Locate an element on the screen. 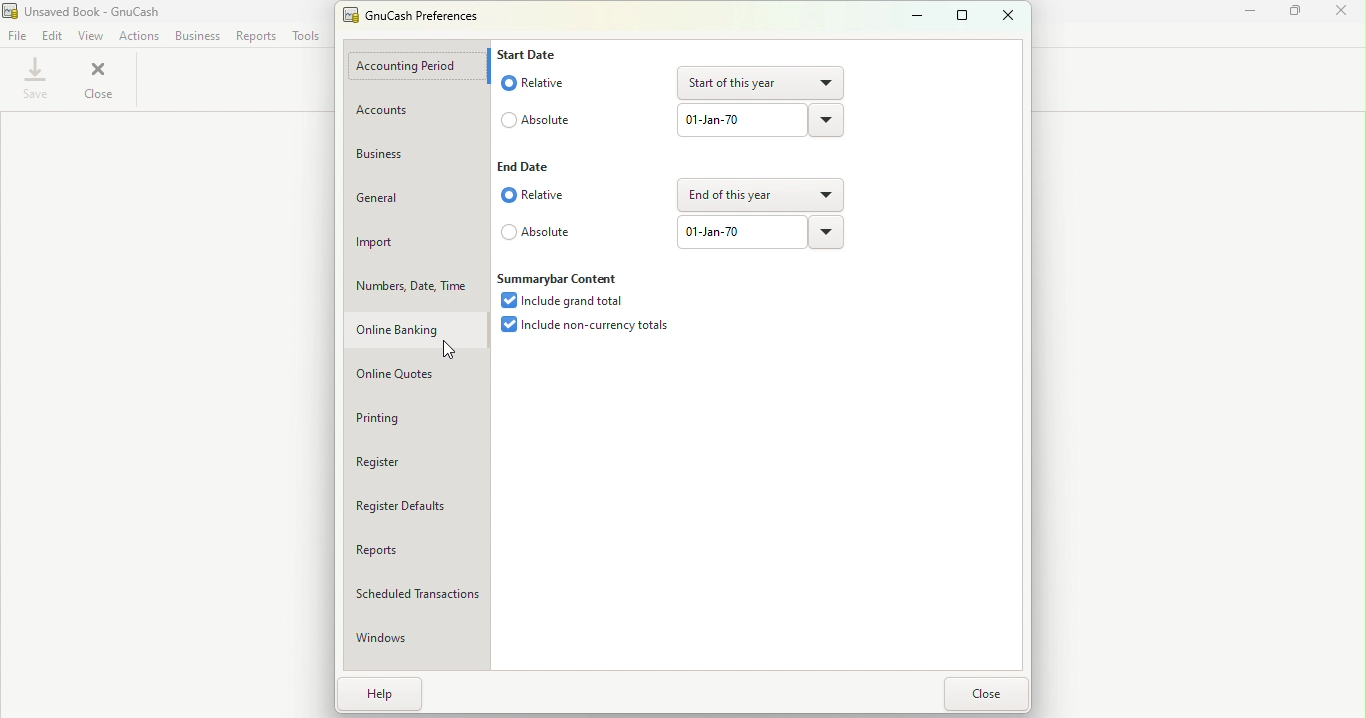 Image resolution: width=1366 pixels, height=718 pixels. Unsaved Book - GnuCash is located at coordinates (90, 11).